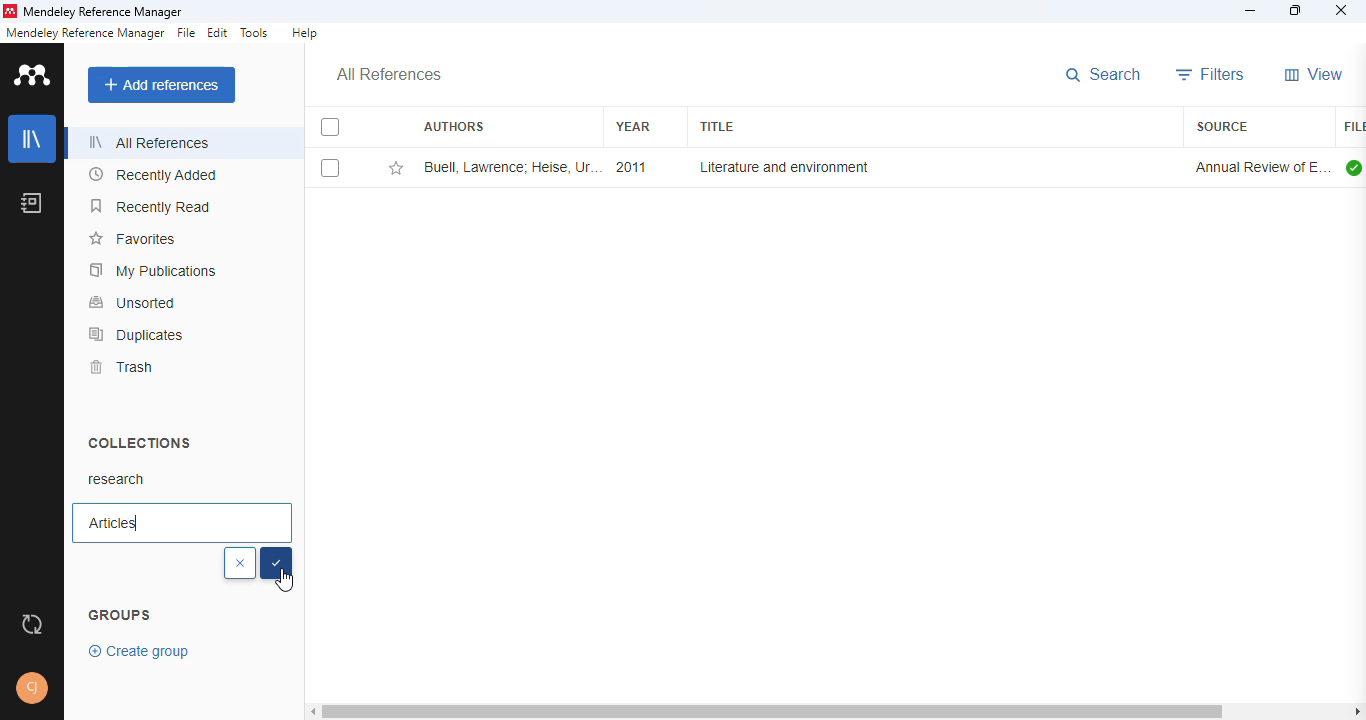 This screenshot has width=1366, height=720. I want to click on view, so click(1315, 74).